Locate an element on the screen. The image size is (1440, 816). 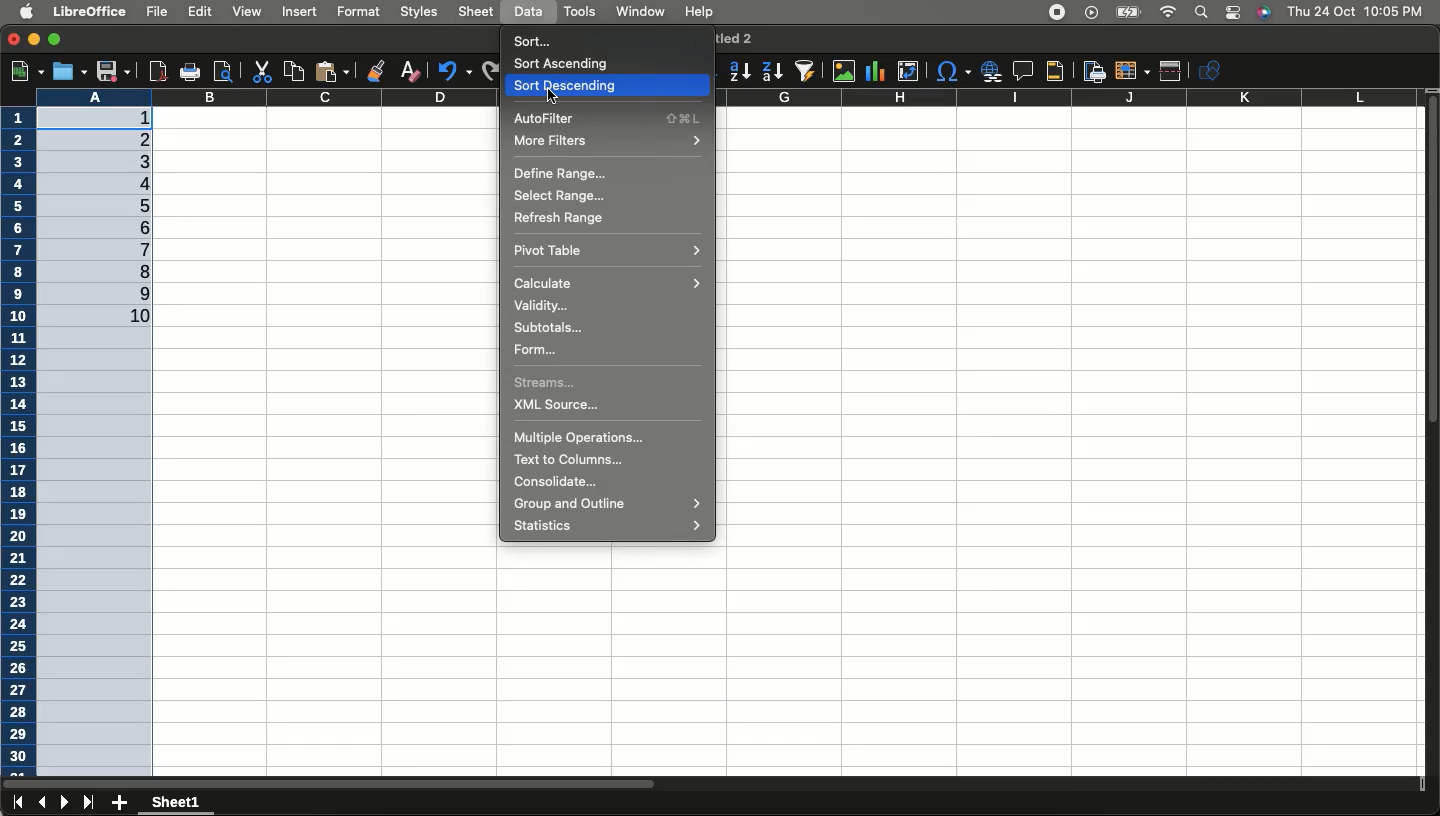
Headers and footers is located at coordinates (1054, 72).